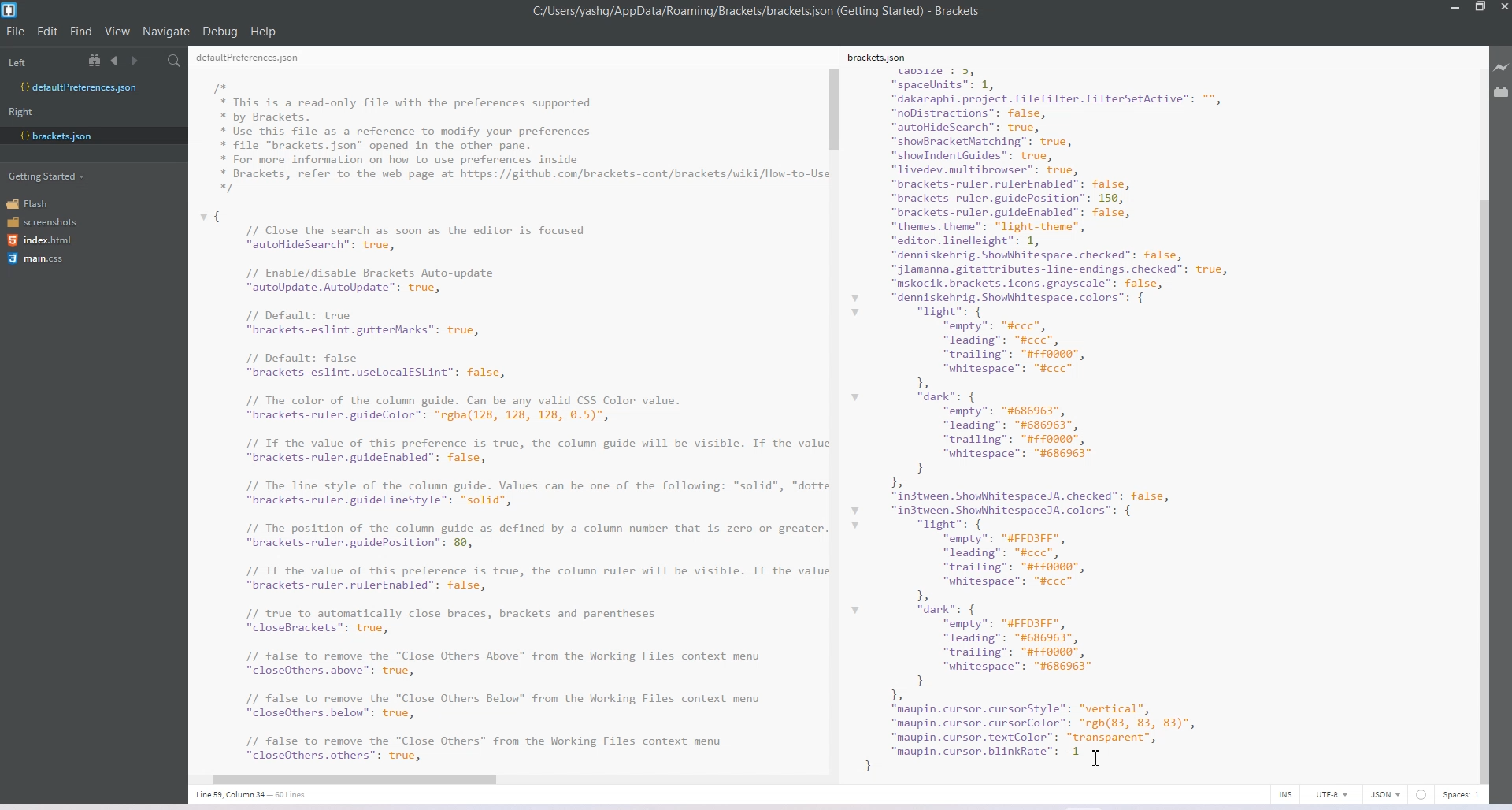 The height and width of the screenshot is (810, 1512). I want to click on View in file Tree, so click(97, 60).